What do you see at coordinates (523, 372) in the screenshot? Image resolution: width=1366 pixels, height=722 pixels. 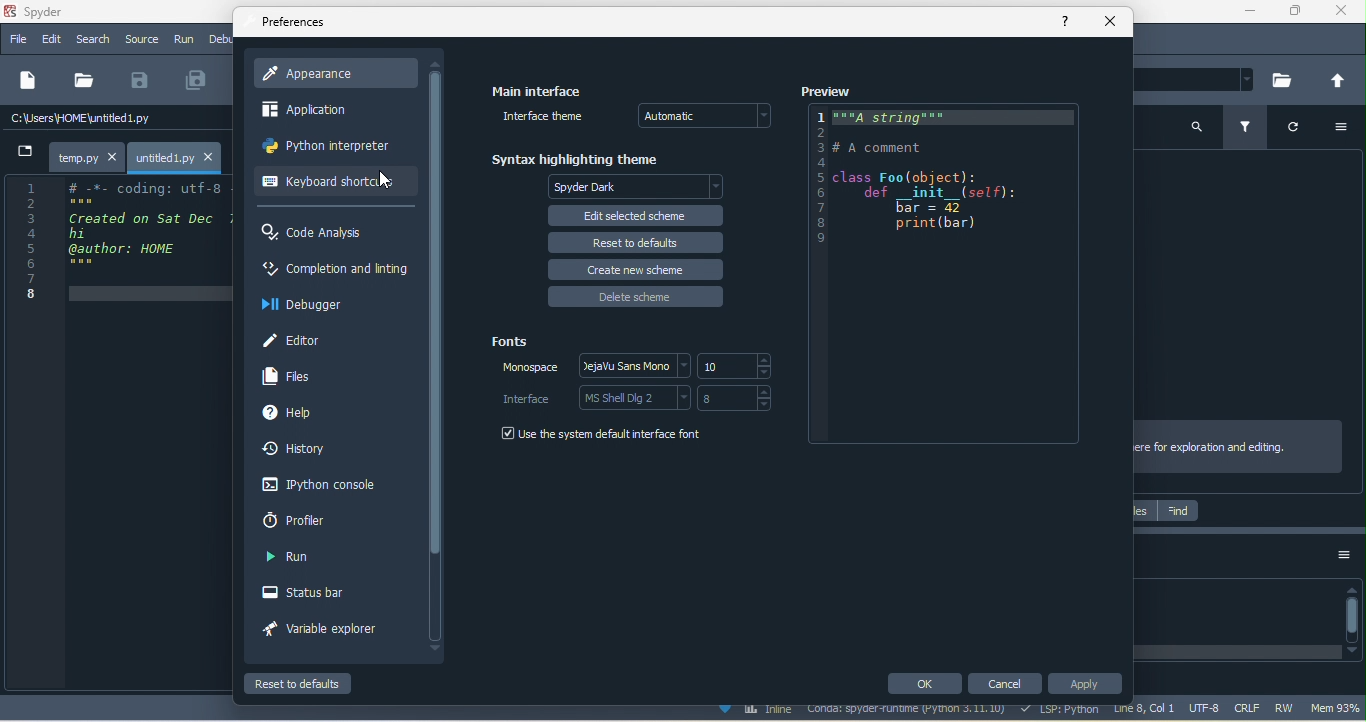 I see `monospace` at bounding box center [523, 372].